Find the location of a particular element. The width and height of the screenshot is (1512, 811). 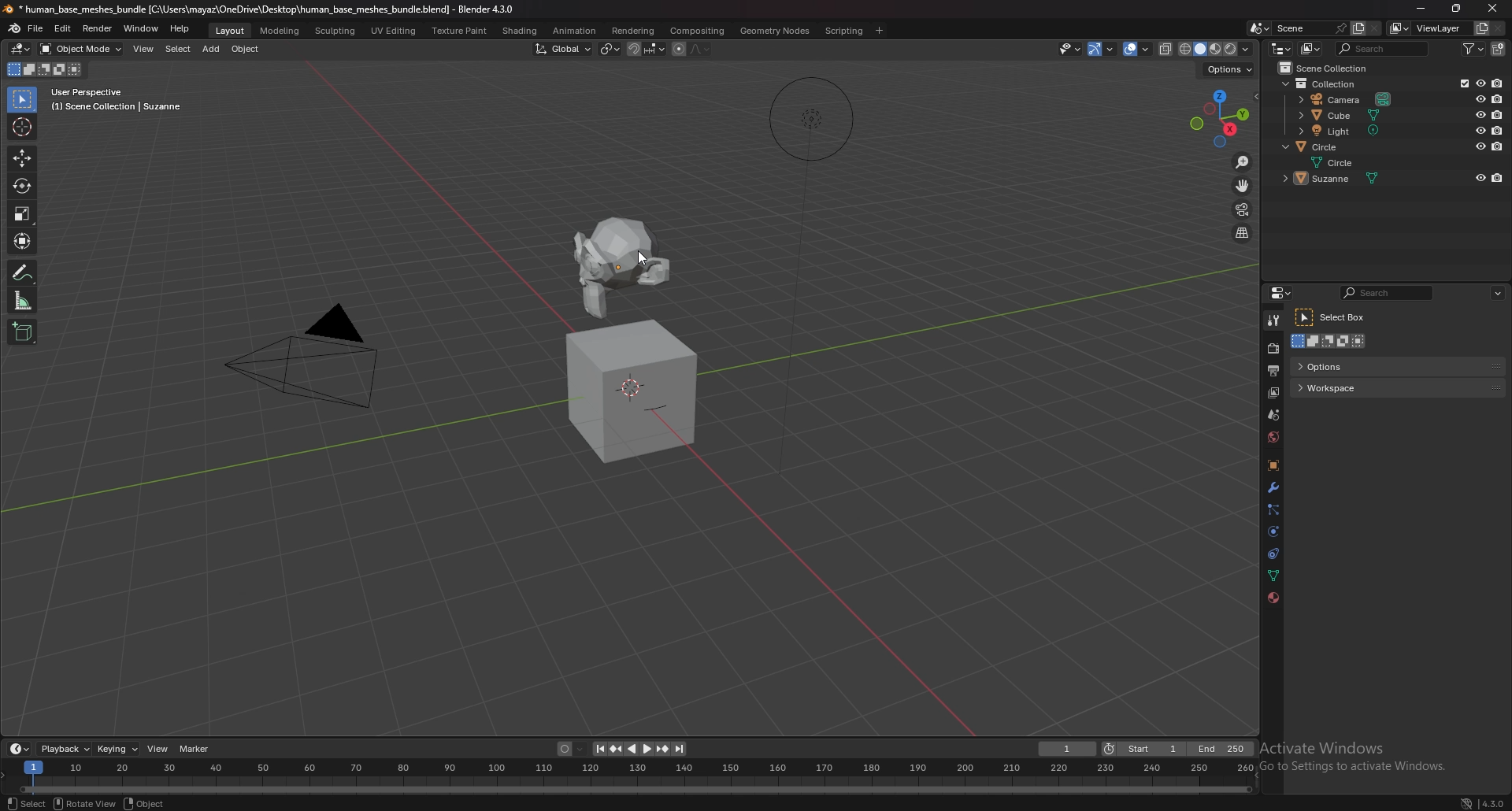

particles is located at coordinates (1274, 510).